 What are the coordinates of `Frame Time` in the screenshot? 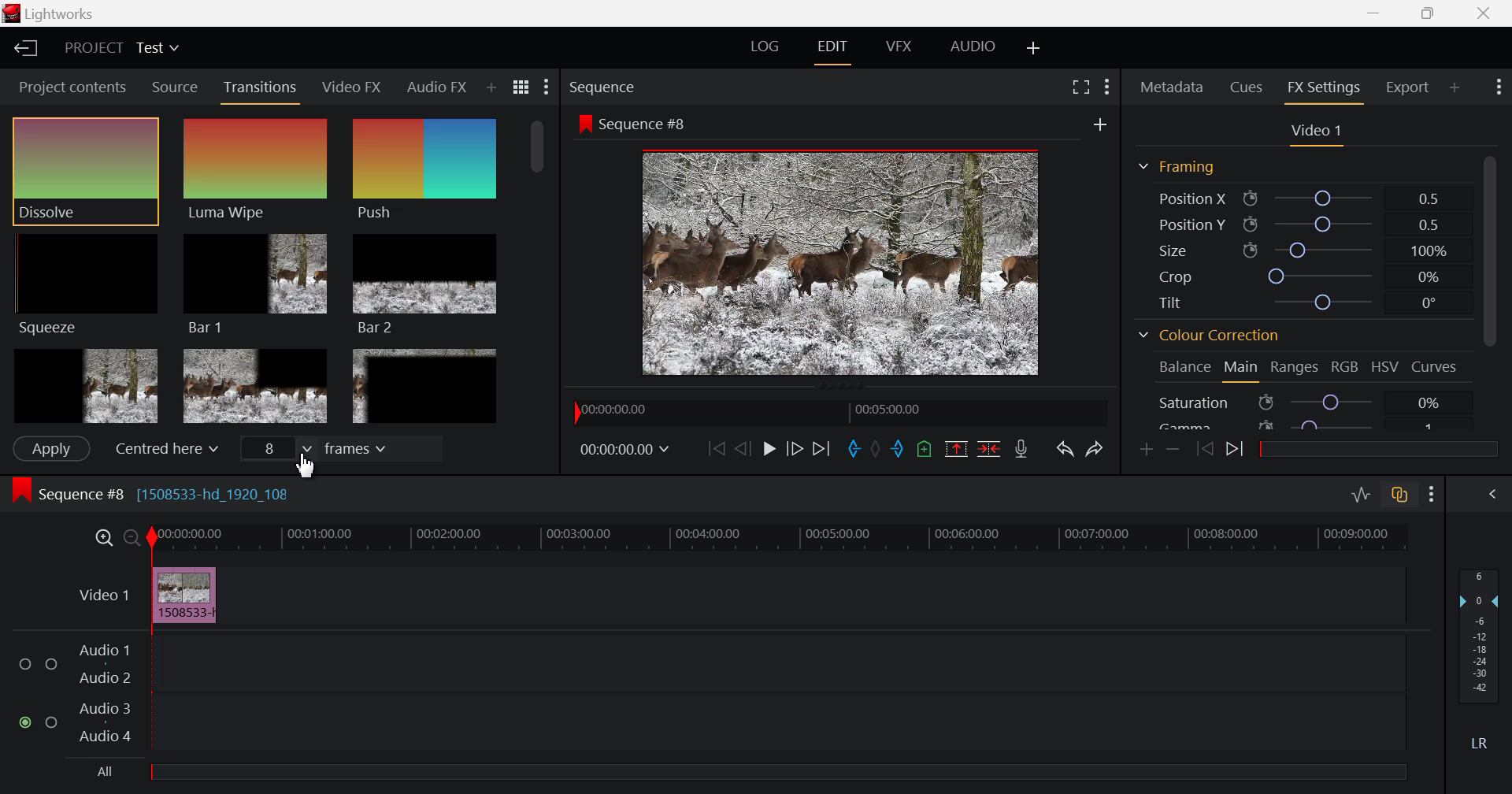 It's located at (627, 452).